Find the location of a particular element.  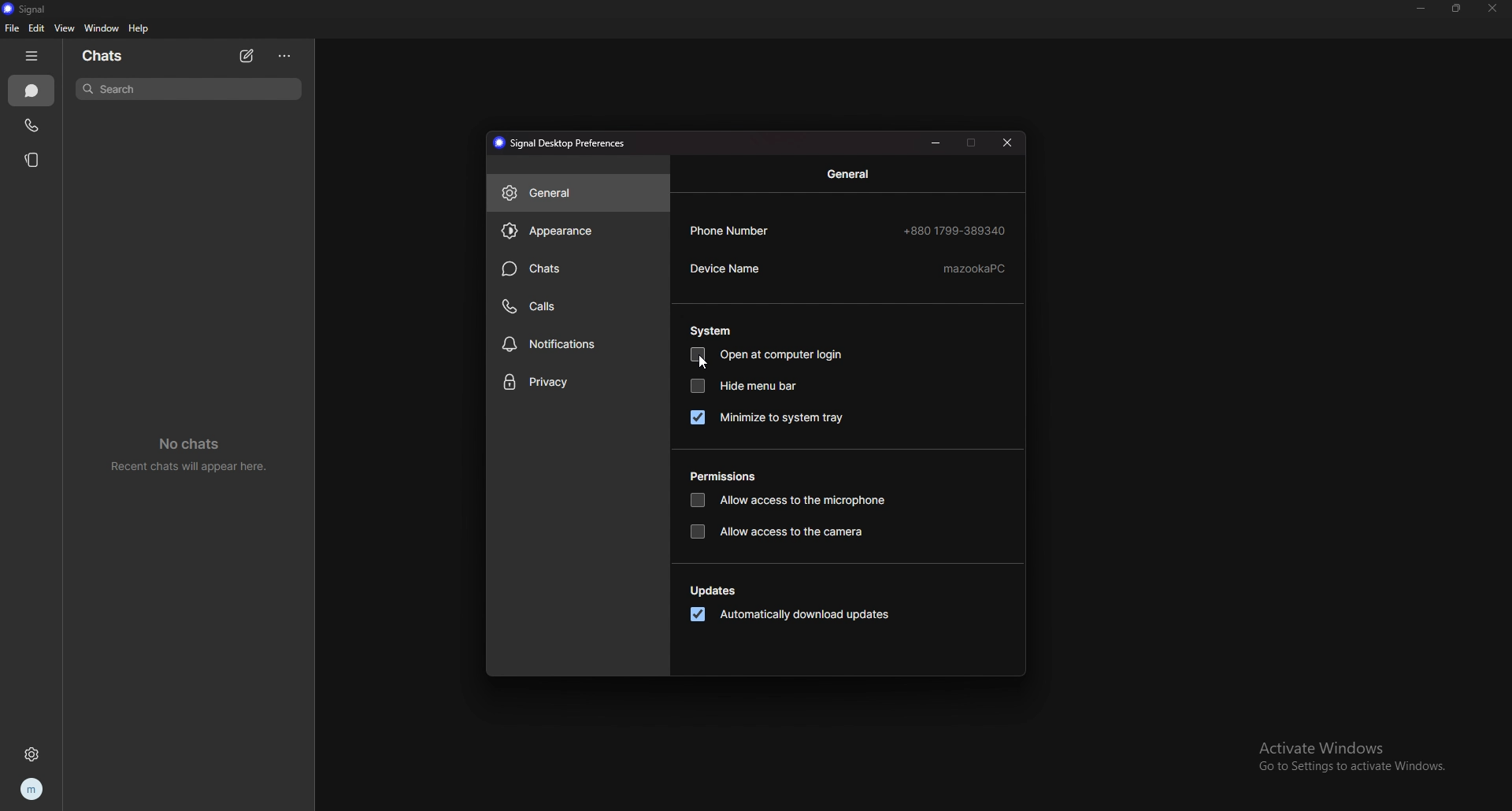

notifications is located at coordinates (578, 344).